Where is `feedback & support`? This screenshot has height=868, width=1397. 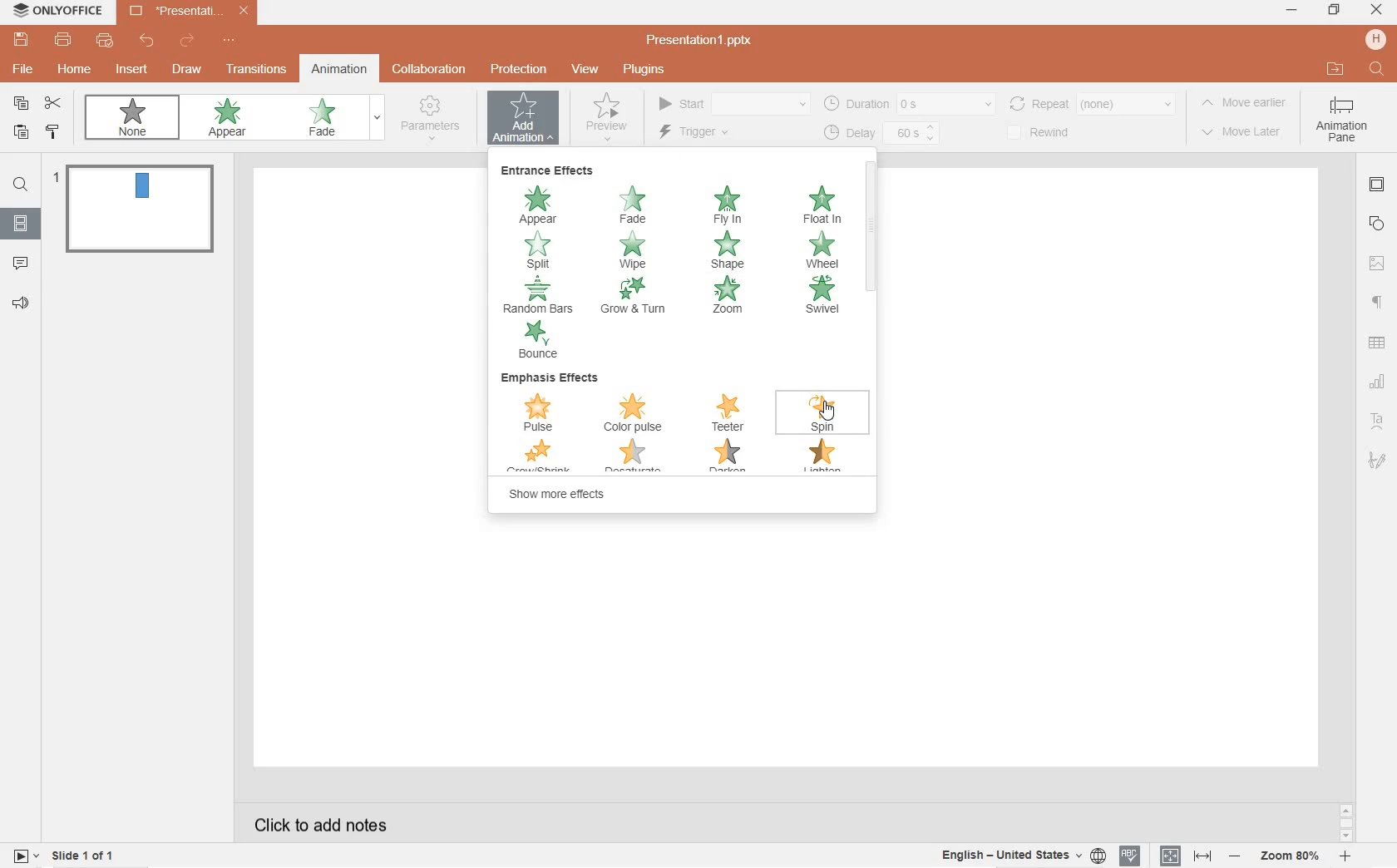 feedback & support is located at coordinates (20, 303).